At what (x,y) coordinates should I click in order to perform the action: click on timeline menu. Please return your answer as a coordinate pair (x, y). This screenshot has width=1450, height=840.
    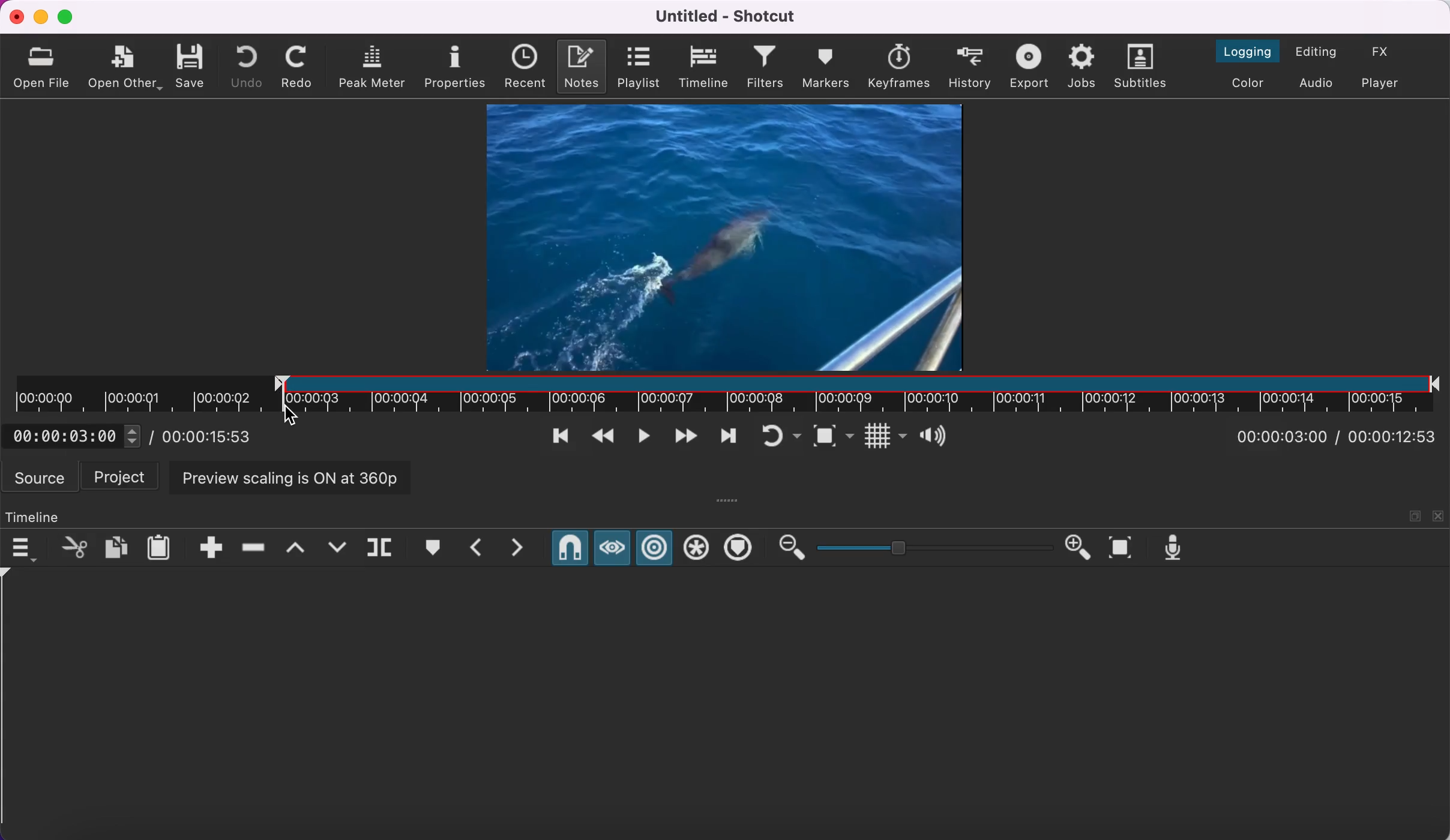
    Looking at the image, I should click on (25, 546).